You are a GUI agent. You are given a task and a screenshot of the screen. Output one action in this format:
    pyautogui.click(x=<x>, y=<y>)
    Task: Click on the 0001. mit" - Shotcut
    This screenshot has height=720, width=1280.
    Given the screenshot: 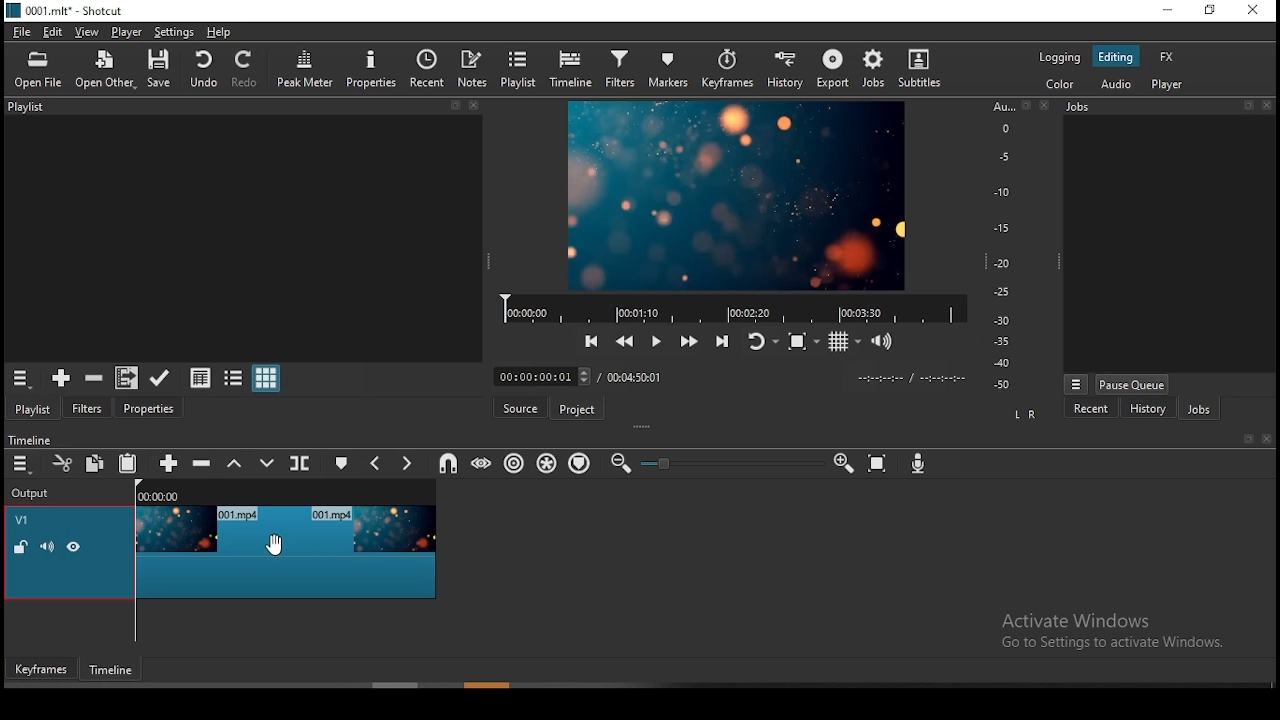 What is the action you would take?
    pyautogui.click(x=68, y=10)
    